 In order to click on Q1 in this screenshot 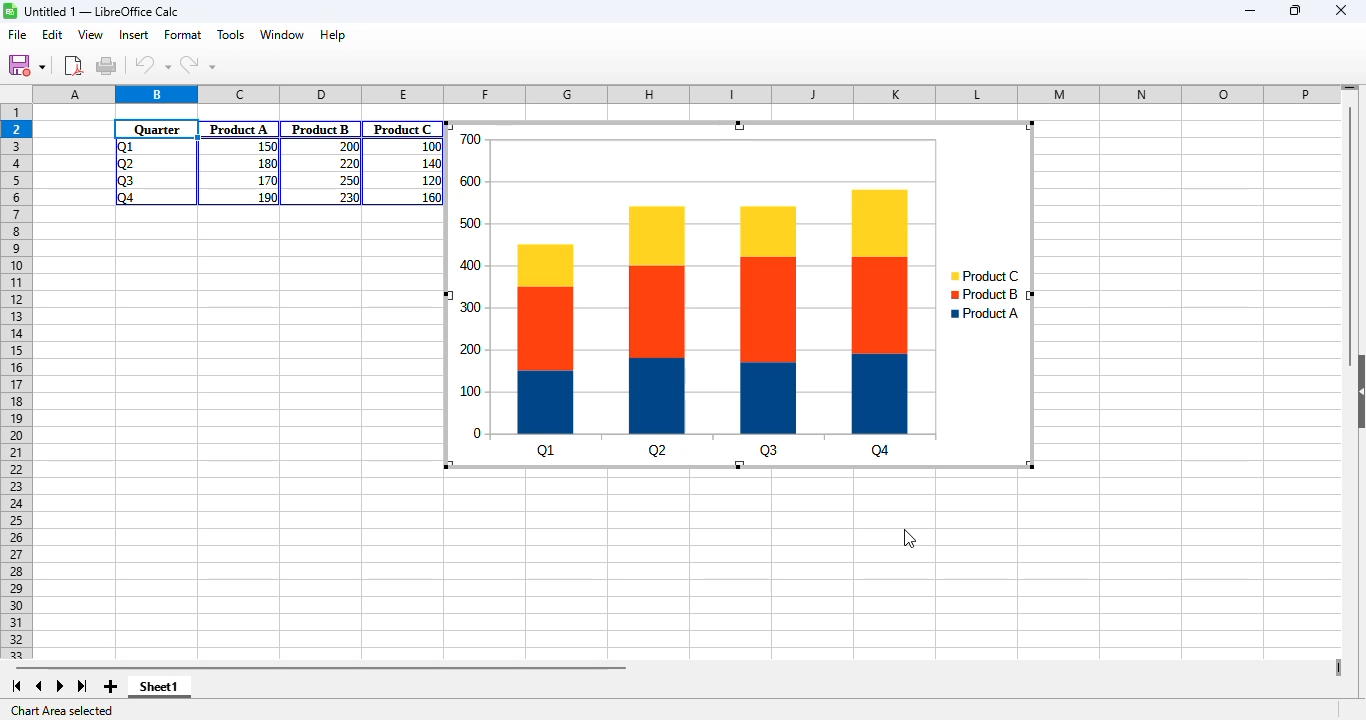, I will do `click(123, 146)`.